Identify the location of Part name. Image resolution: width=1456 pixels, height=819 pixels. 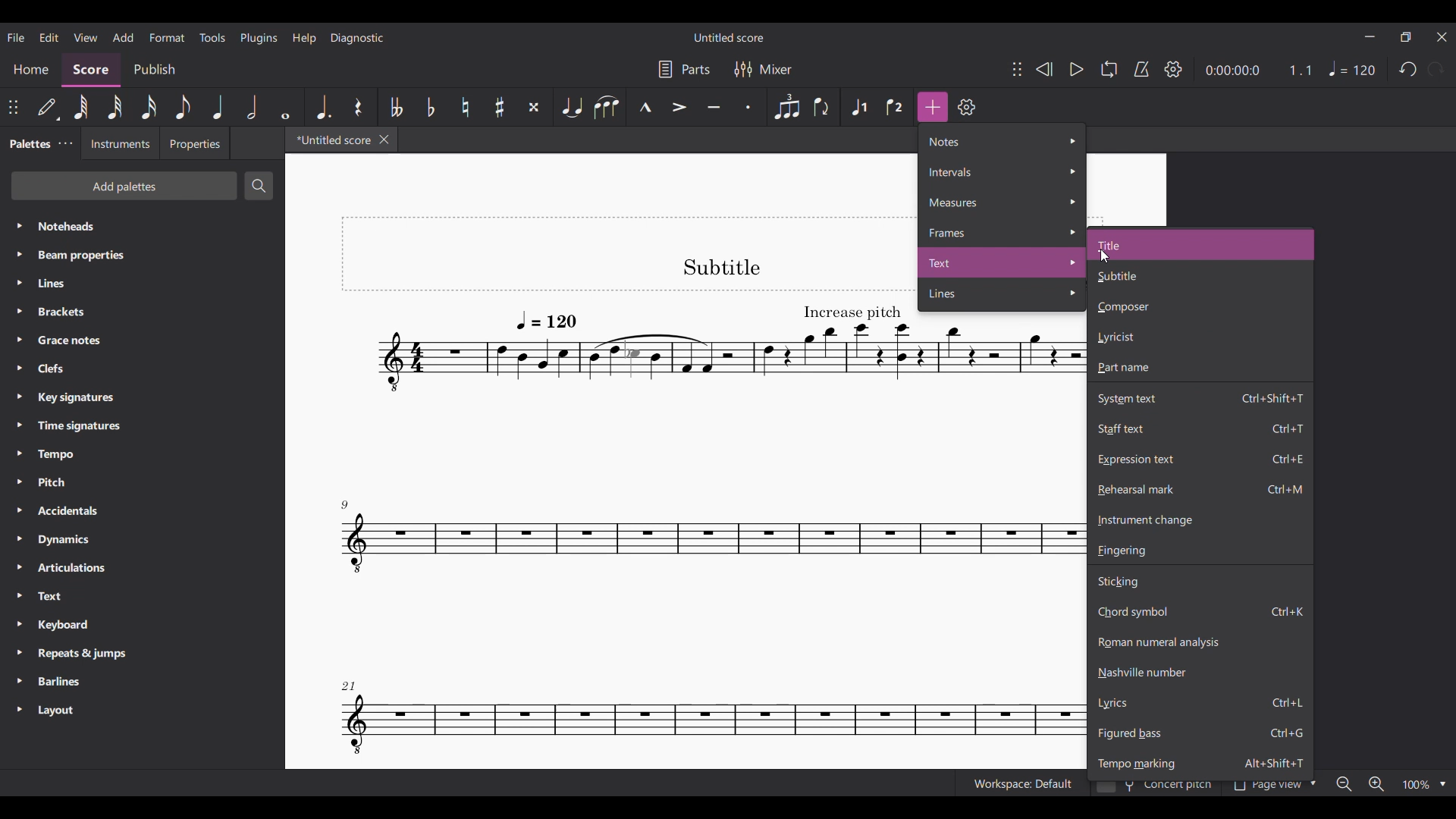
(1200, 368).